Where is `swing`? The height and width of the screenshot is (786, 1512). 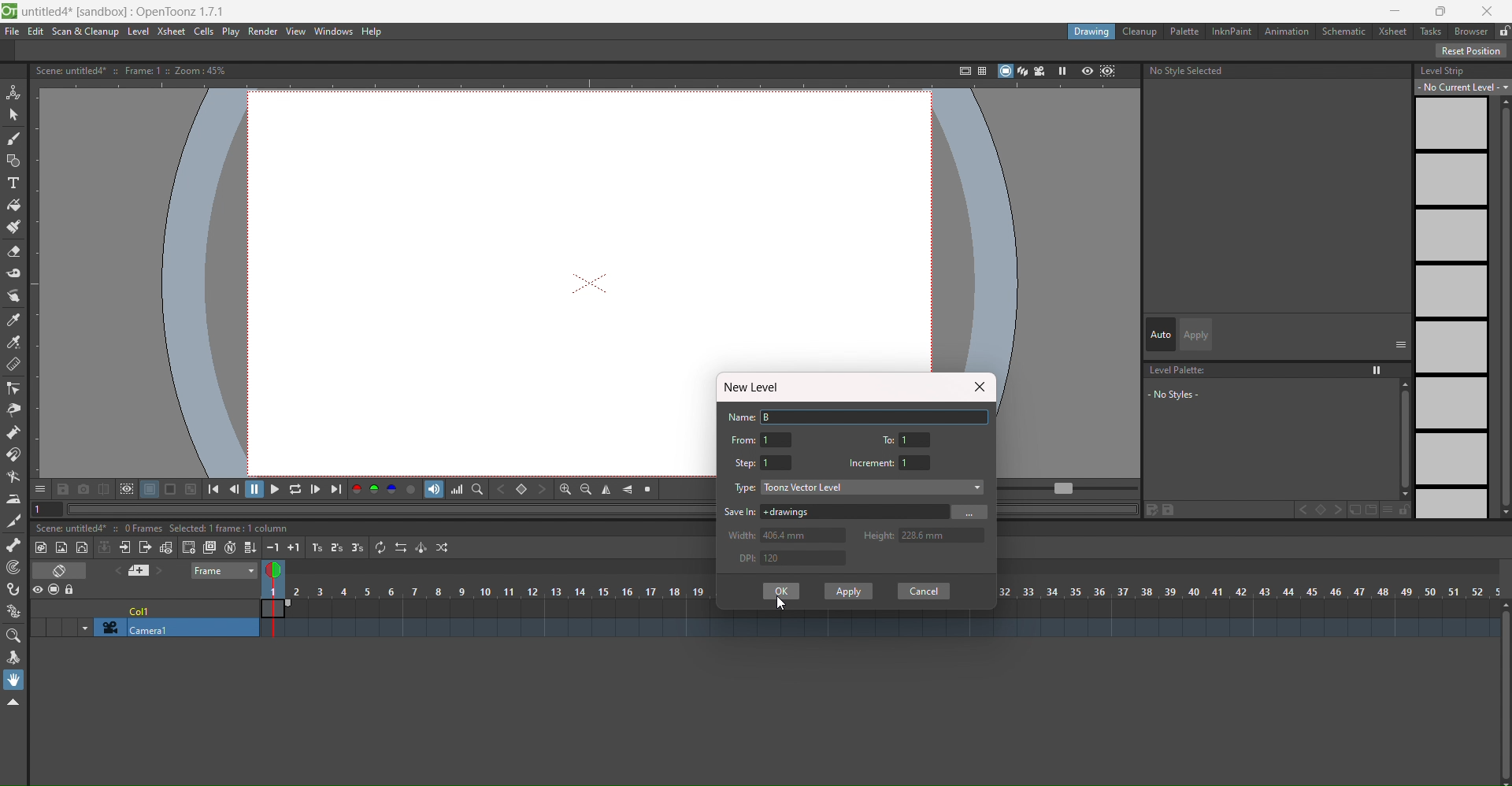 swing is located at coordinates (421, 547).